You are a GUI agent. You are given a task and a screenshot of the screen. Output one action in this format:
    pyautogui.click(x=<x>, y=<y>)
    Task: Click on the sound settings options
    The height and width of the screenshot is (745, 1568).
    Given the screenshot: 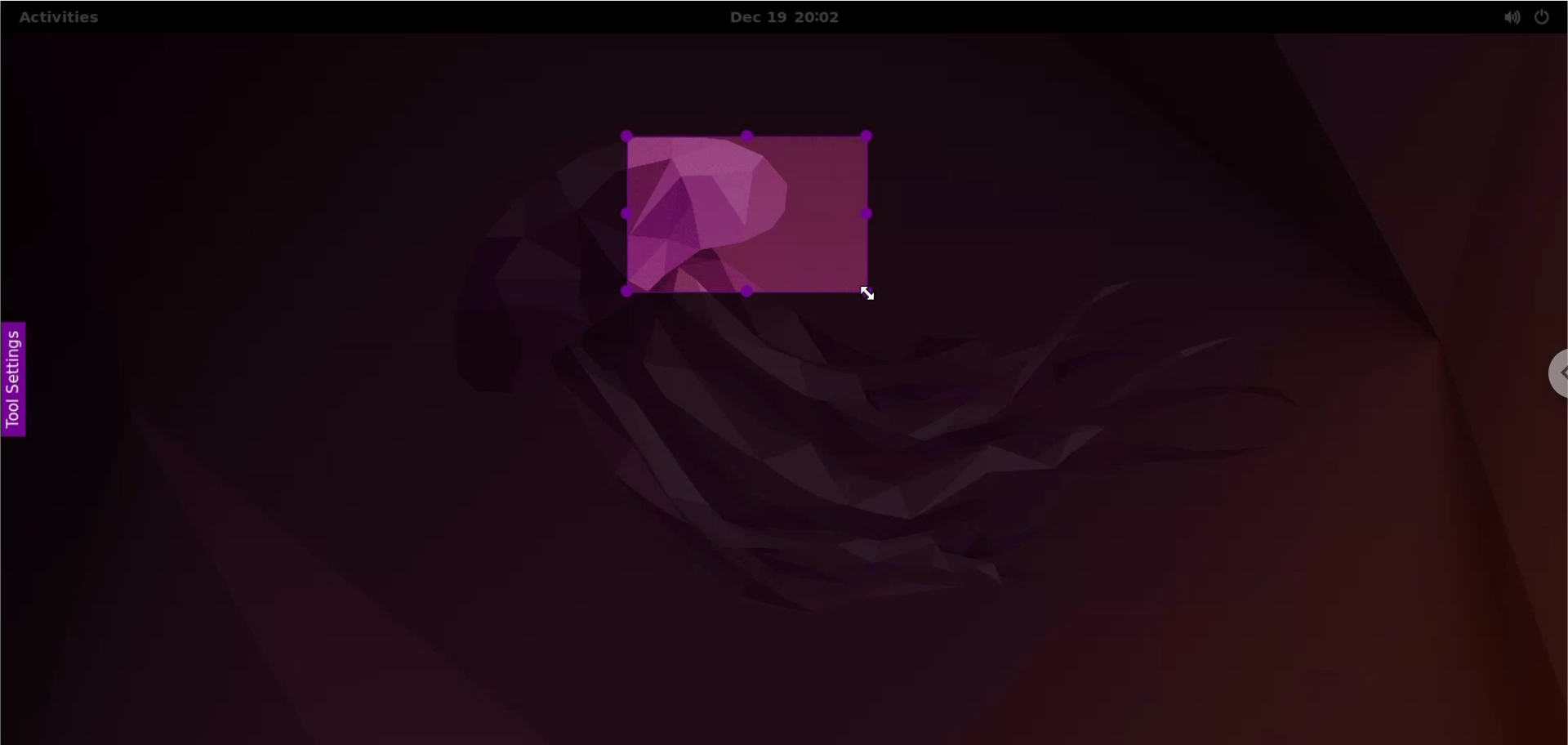 What is the action you would take?
    pyautogui.click(x=1508, y=19)
    